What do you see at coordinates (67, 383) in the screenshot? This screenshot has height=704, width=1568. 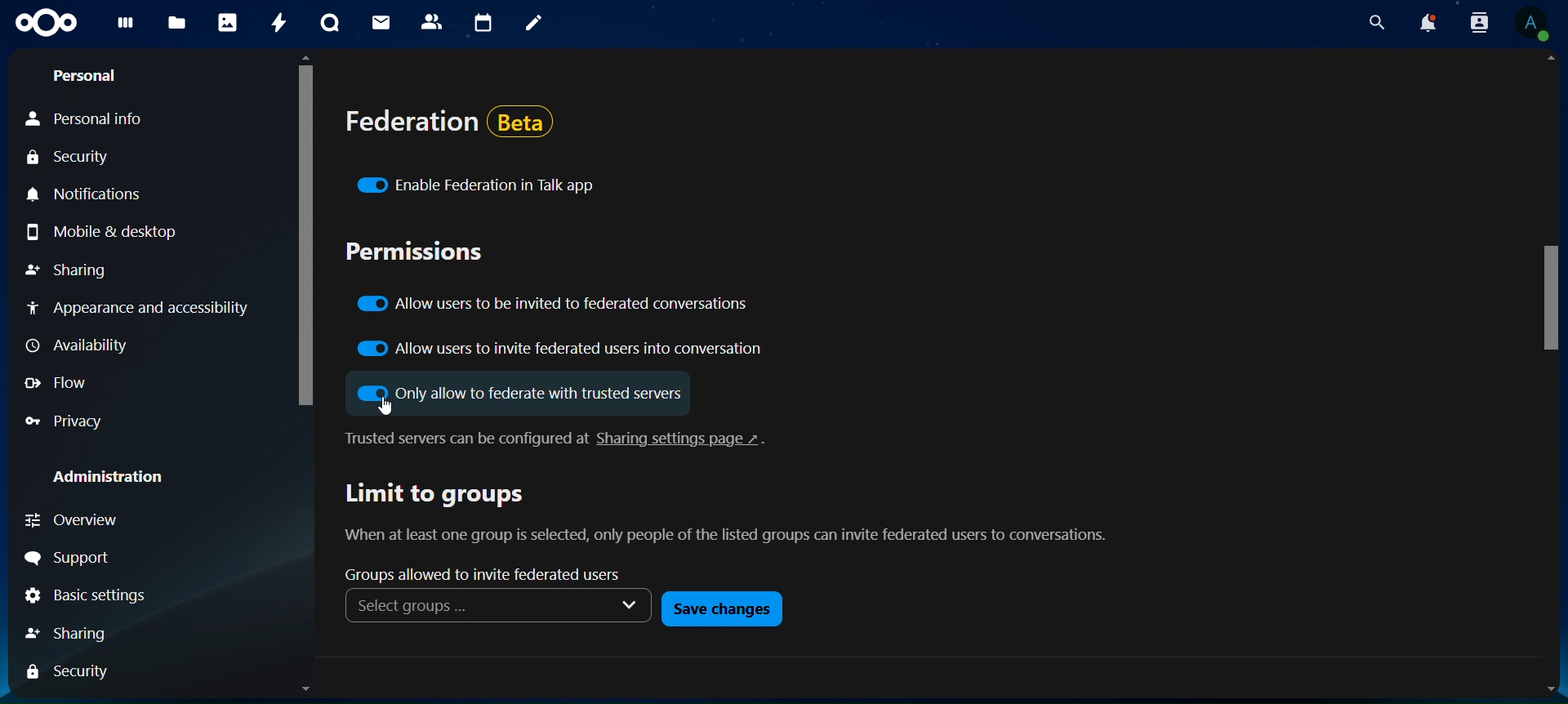 I see `flow` at bounding box center [67, 383].